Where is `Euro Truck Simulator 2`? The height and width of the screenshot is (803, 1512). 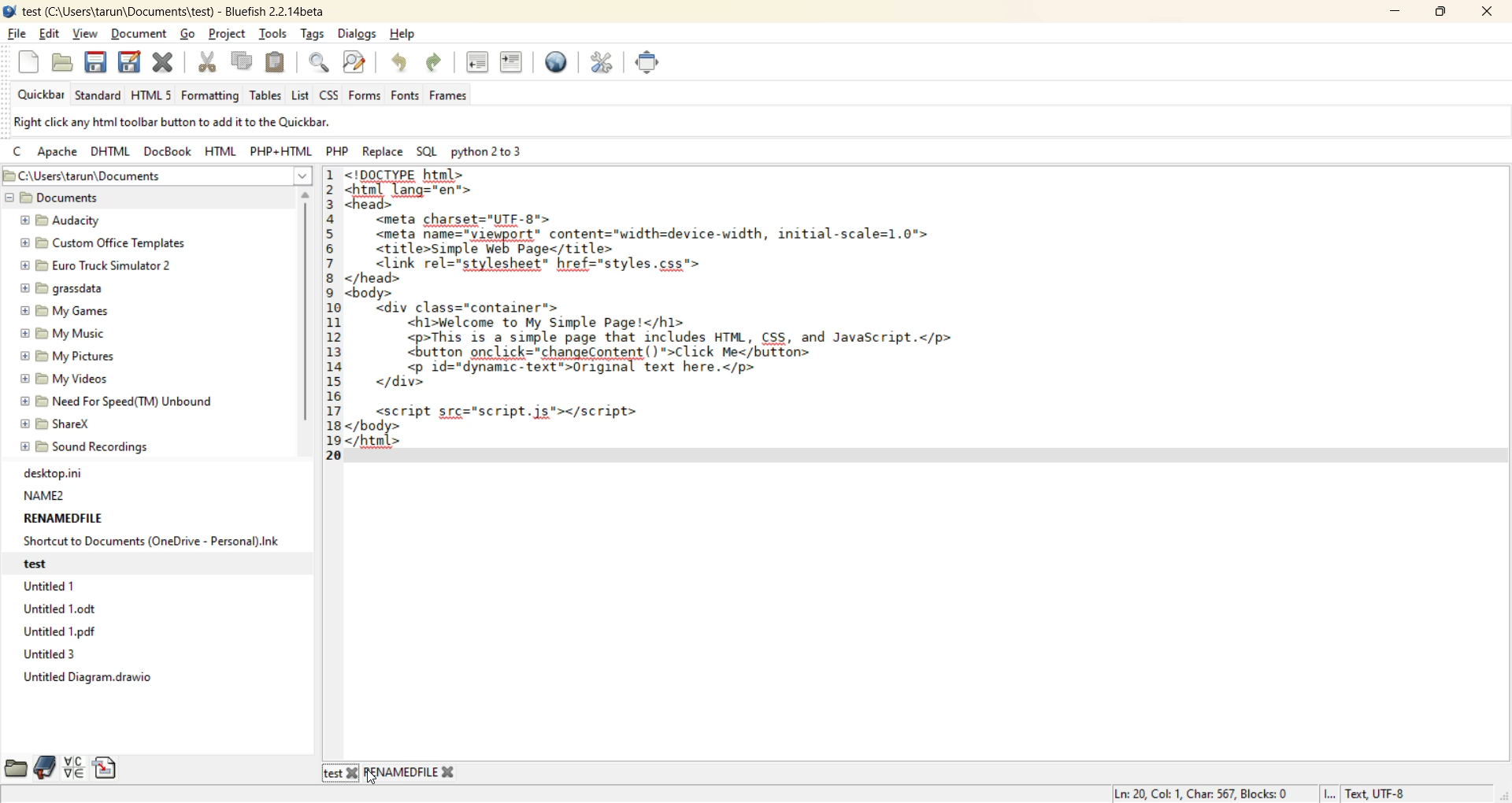 Euro Truck Simulator 2 is located at coordinates (95, 263).